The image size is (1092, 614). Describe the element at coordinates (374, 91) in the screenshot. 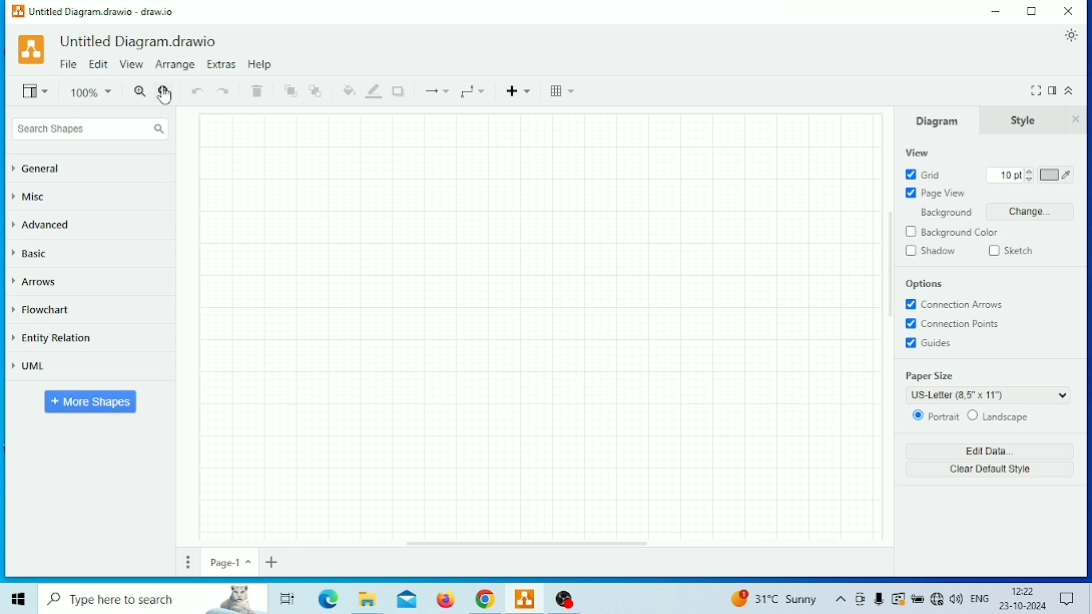

I see `Line Color` at that location.